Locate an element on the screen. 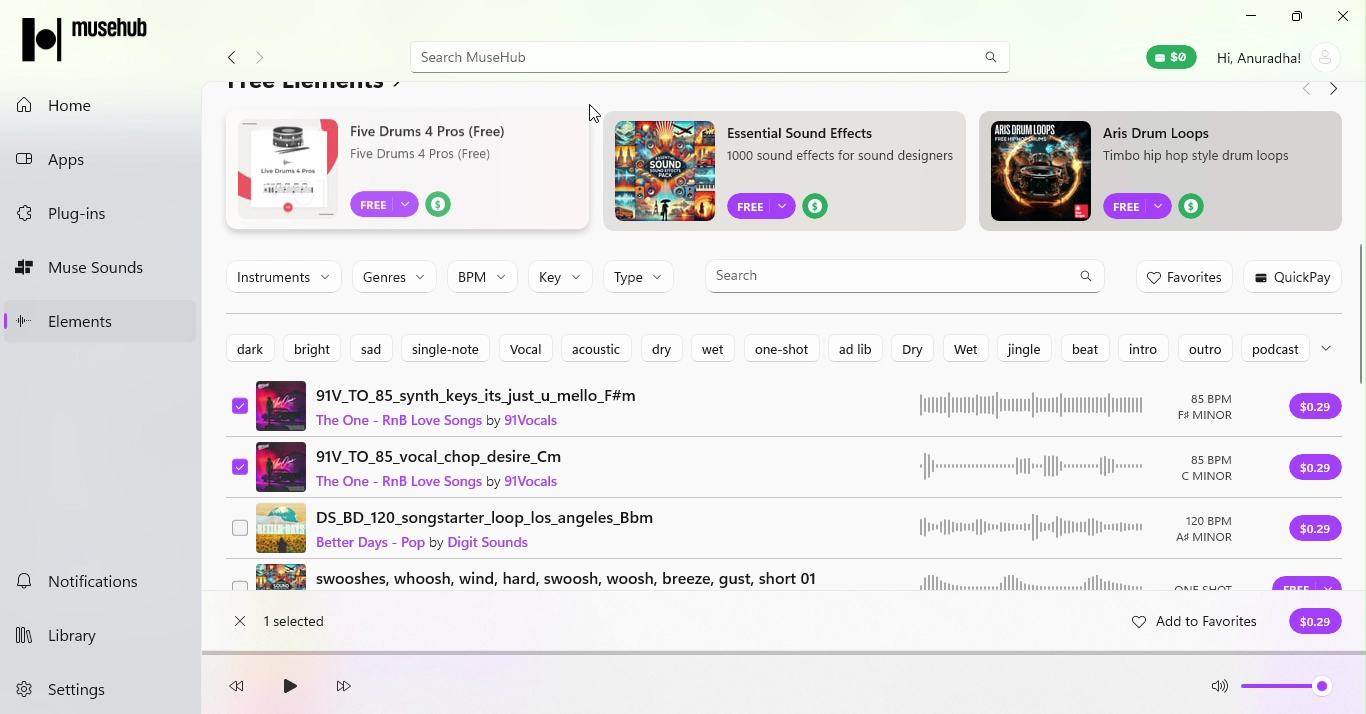 This screenshot has height=714, width=1366. Single note is located at coordinates (446, 347).